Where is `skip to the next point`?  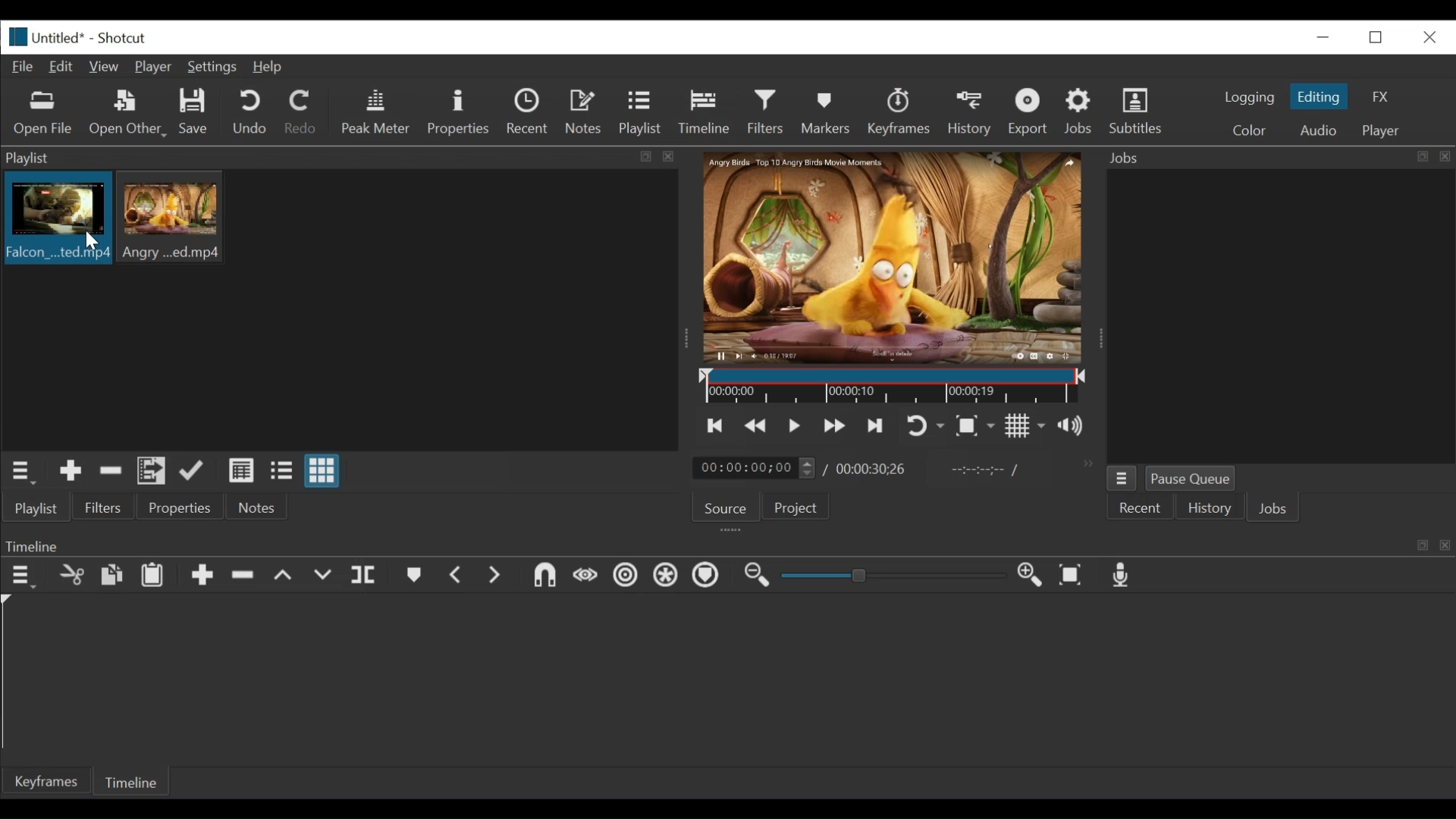 skip to the next point is located at coordinates (877, 425).